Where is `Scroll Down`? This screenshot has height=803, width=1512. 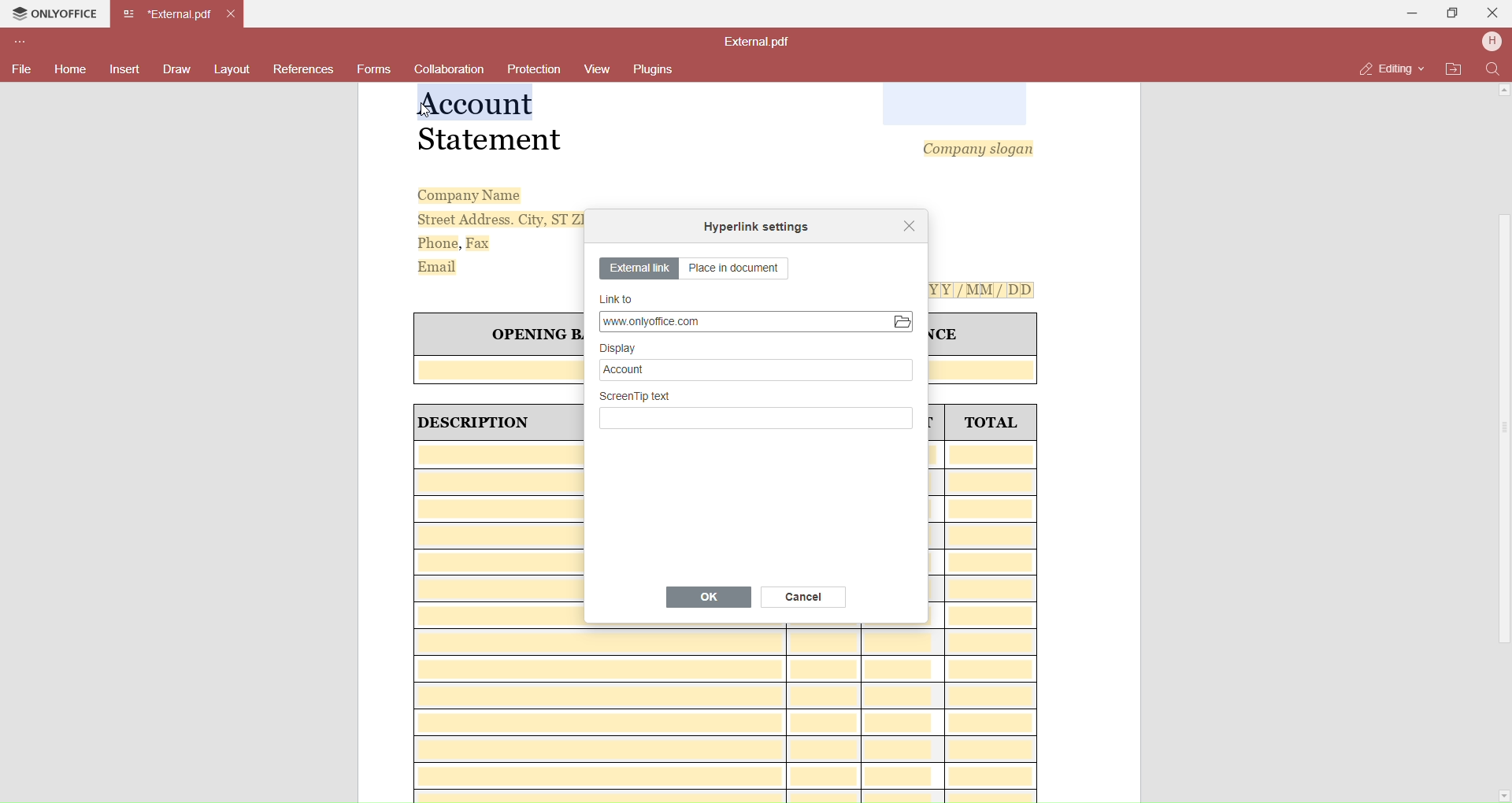 Scroll Down is located at coordinates (1501, 794).